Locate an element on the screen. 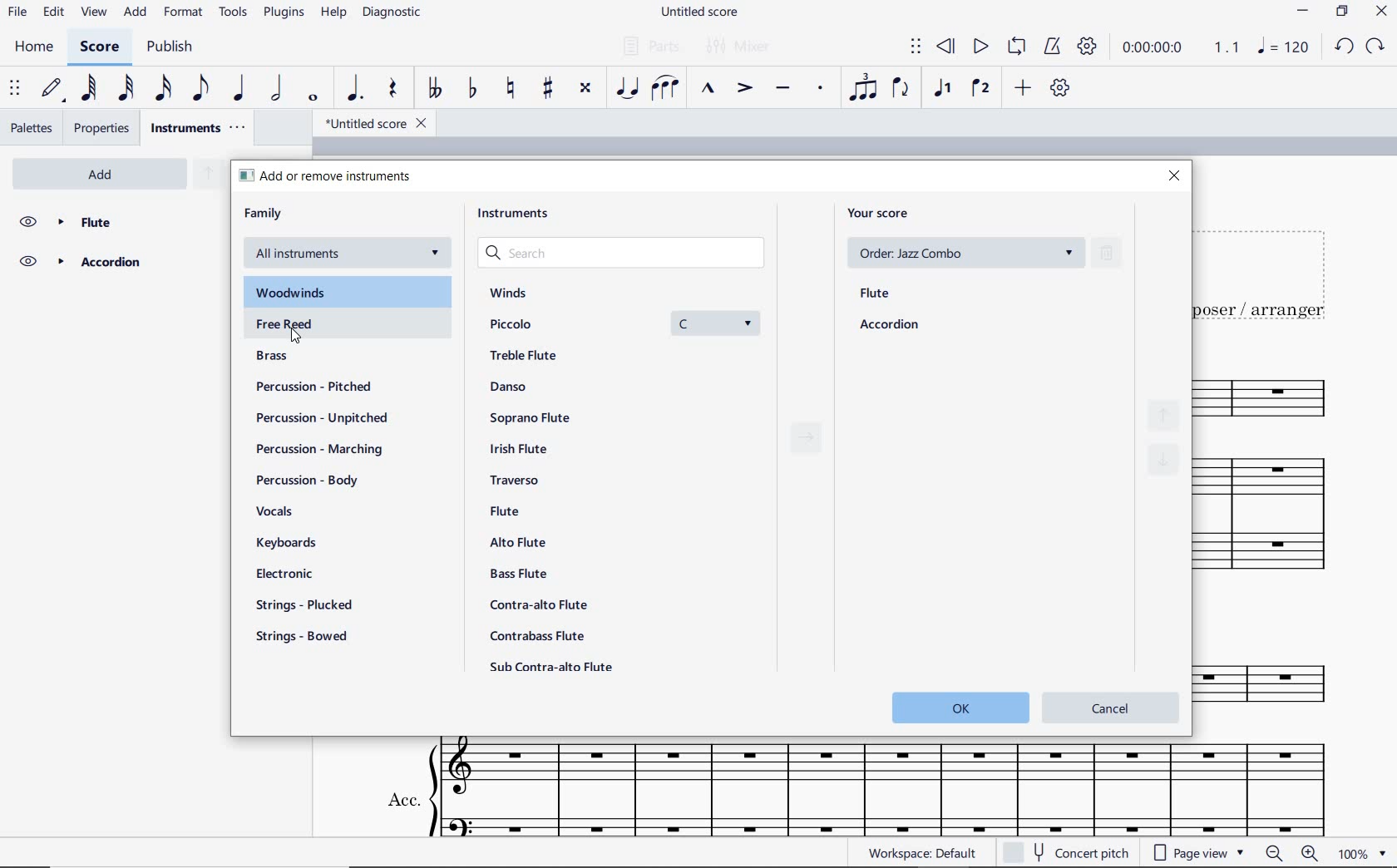 Image resolution: width=1397 pixels, height=868 pixels. EDIT is located at coordinates (52, 12).